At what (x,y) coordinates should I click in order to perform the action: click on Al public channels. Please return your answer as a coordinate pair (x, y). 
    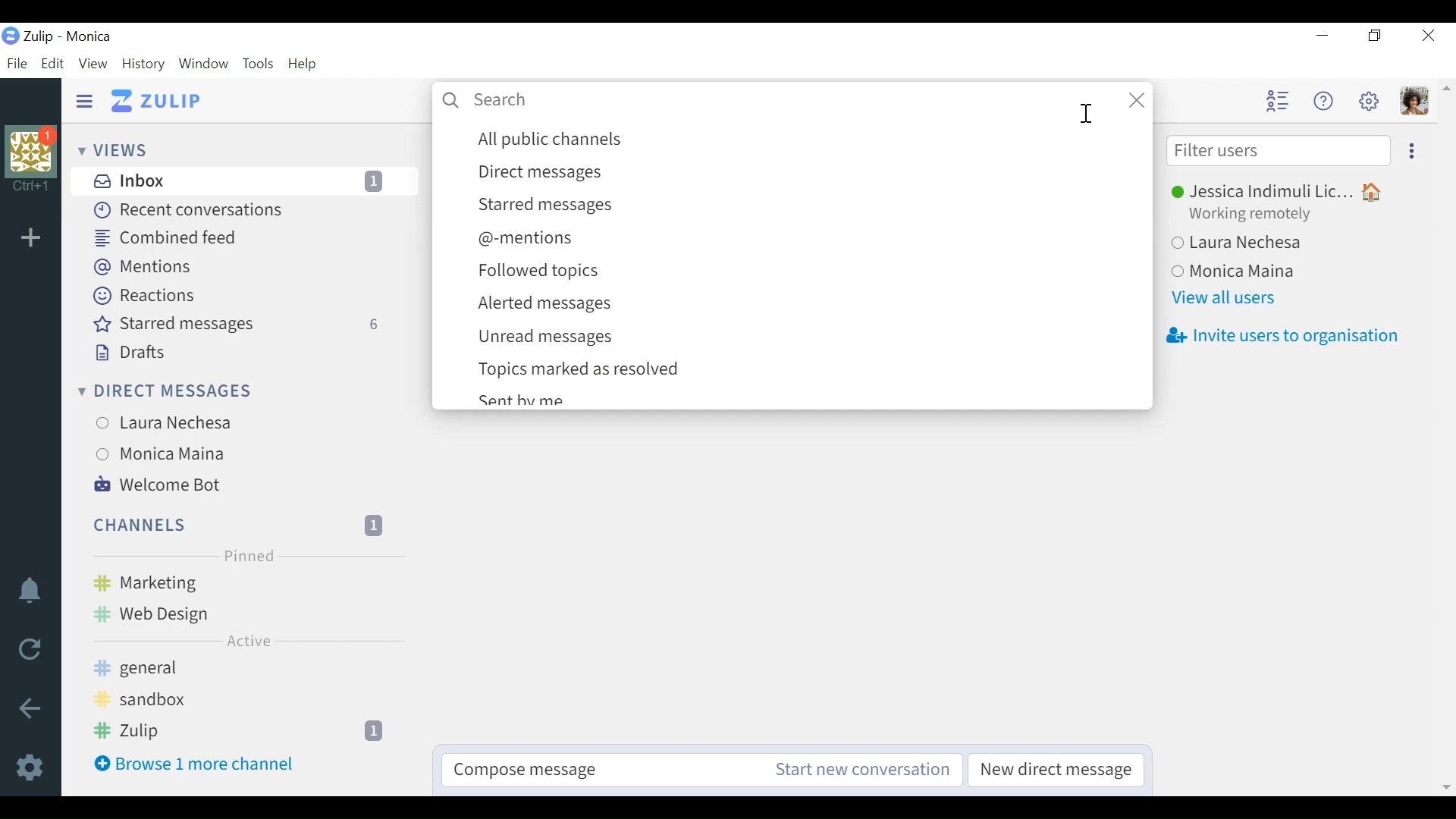
    Looking at the image, I should click on (805, 140).